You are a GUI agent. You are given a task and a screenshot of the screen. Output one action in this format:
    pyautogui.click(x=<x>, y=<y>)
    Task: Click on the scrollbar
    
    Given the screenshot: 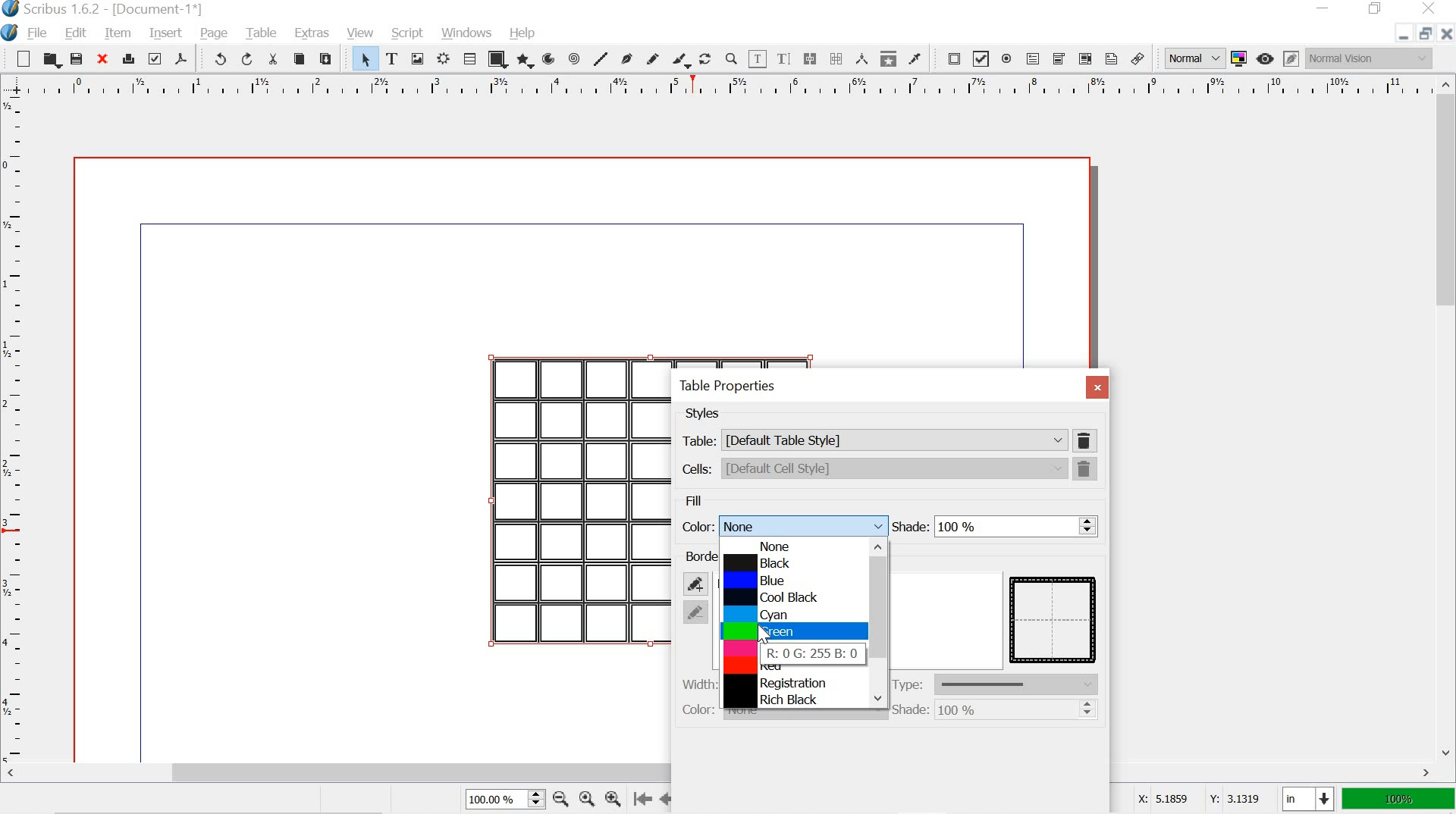 What is the action you would take?
    pyautogui.click(x=879, y=625)
    